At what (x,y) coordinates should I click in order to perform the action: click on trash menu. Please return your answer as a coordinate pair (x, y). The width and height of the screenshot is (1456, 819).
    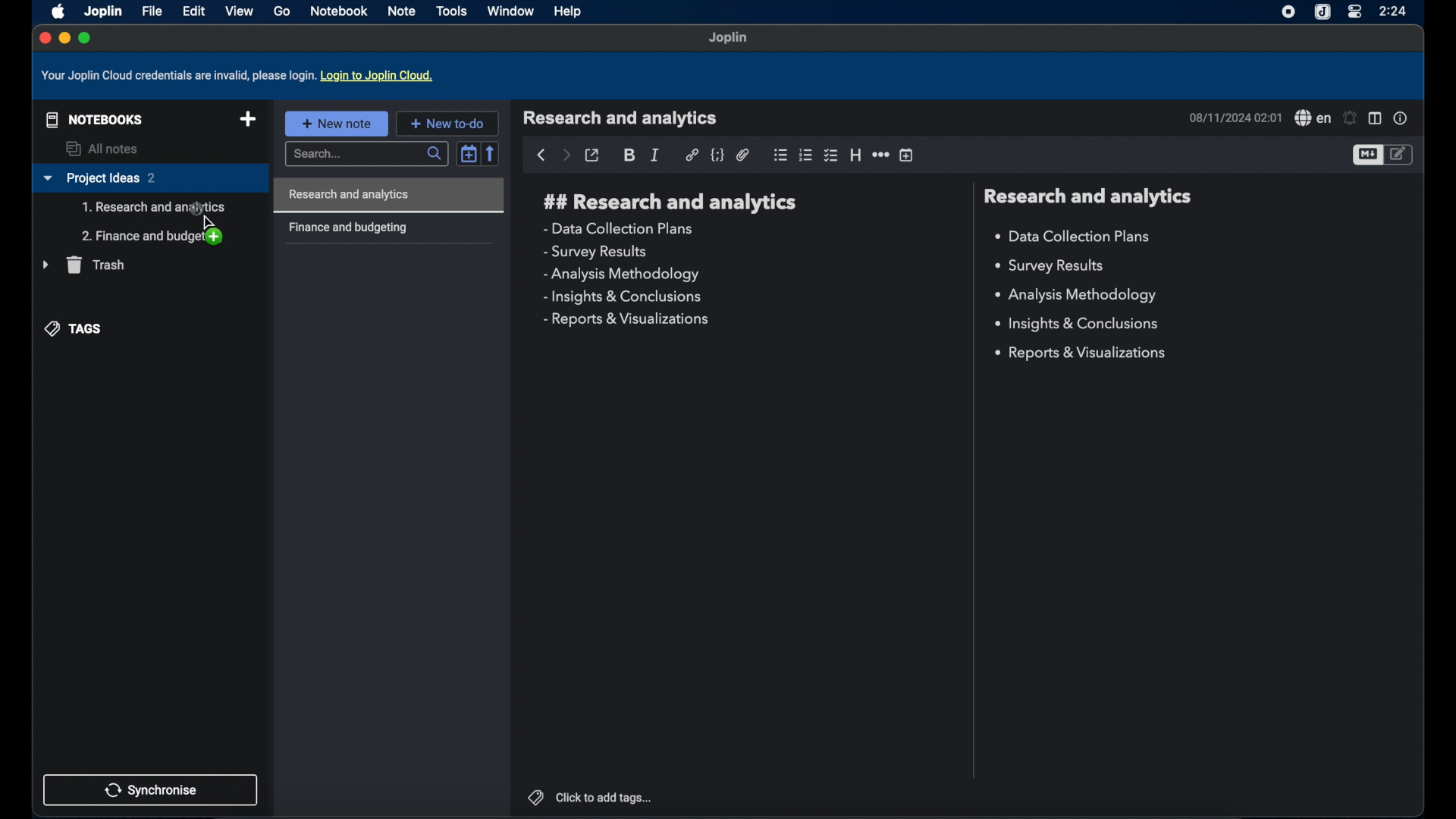
    Looking at the image, I should click on (83, 265).